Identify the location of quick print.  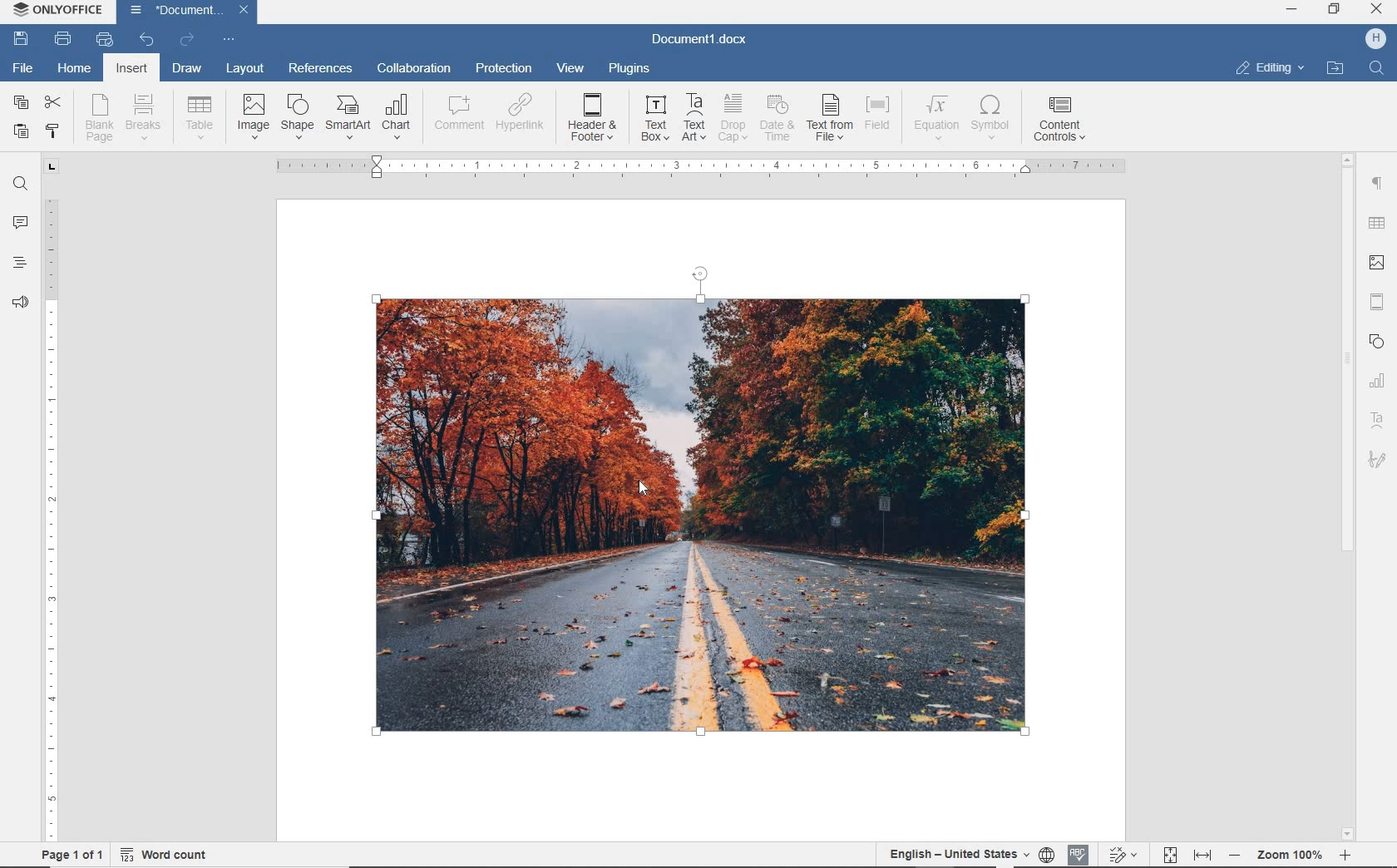
(104, 40).